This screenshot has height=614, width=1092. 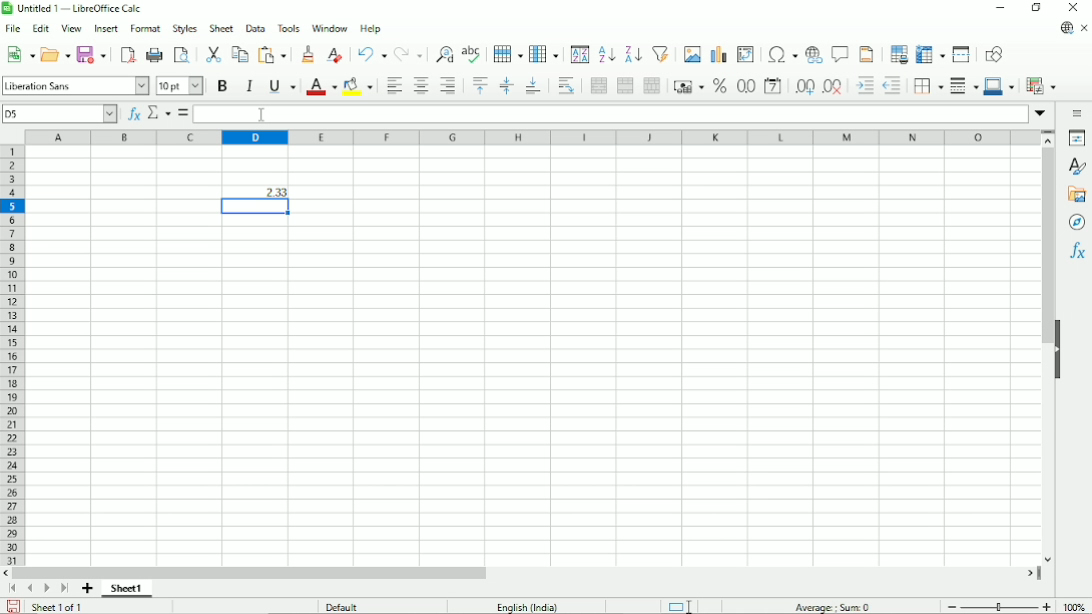 I want to click on Decrease indent, so click(x=865, y=86).